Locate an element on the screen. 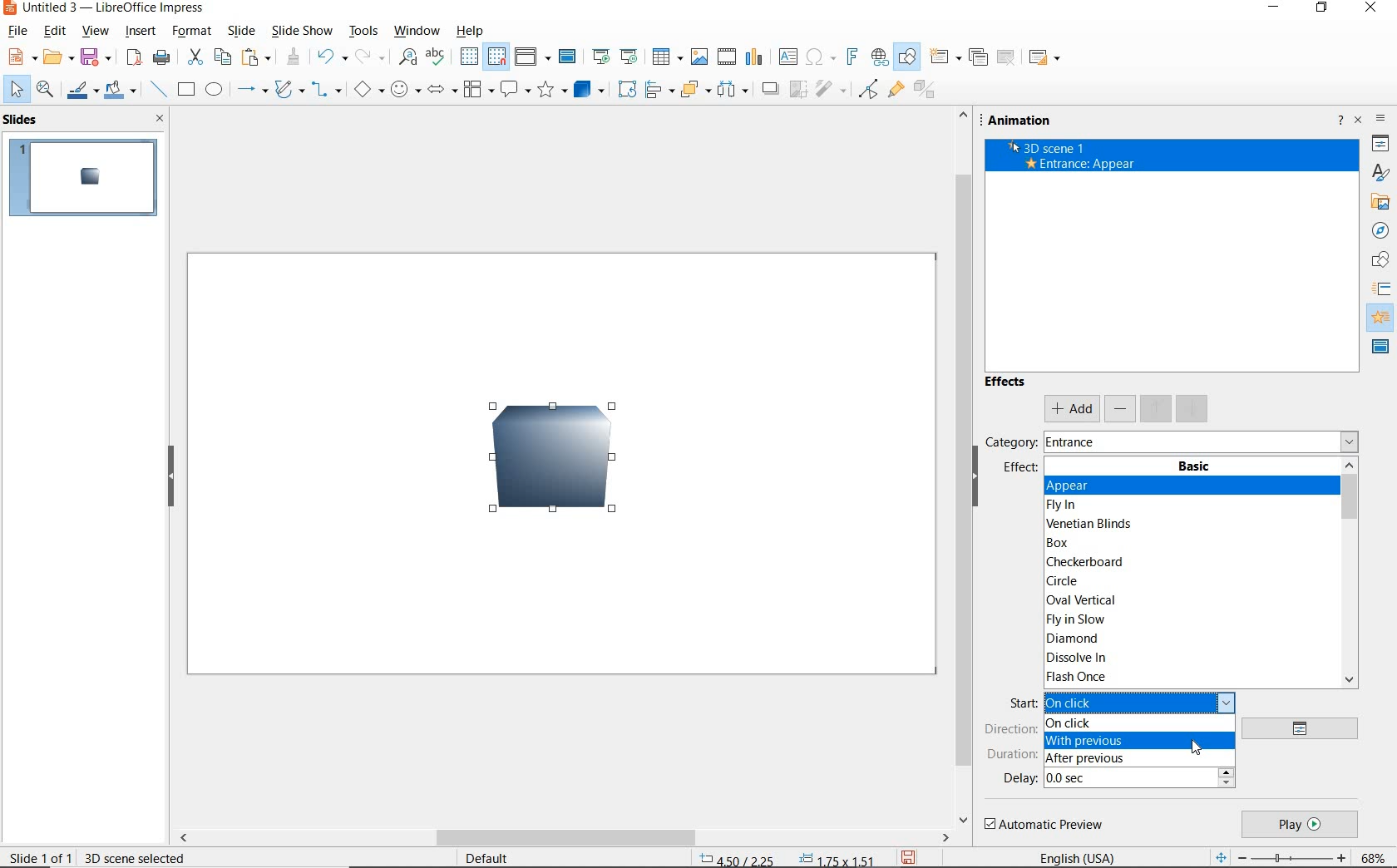  ON CLICK is located at coordinates (1141, 701).